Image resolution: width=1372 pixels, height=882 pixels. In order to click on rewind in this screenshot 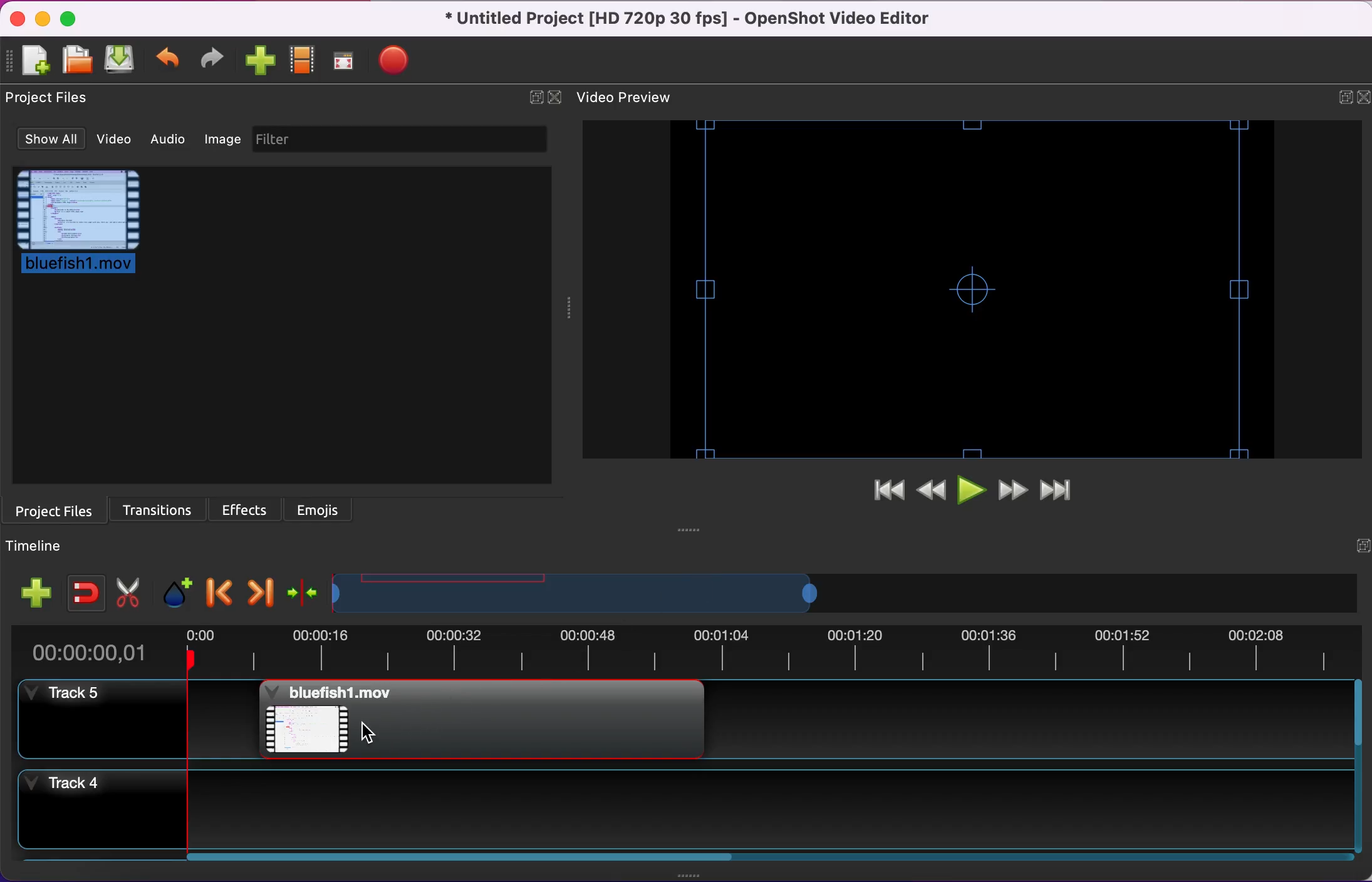, I will do `click(930, 492)`.